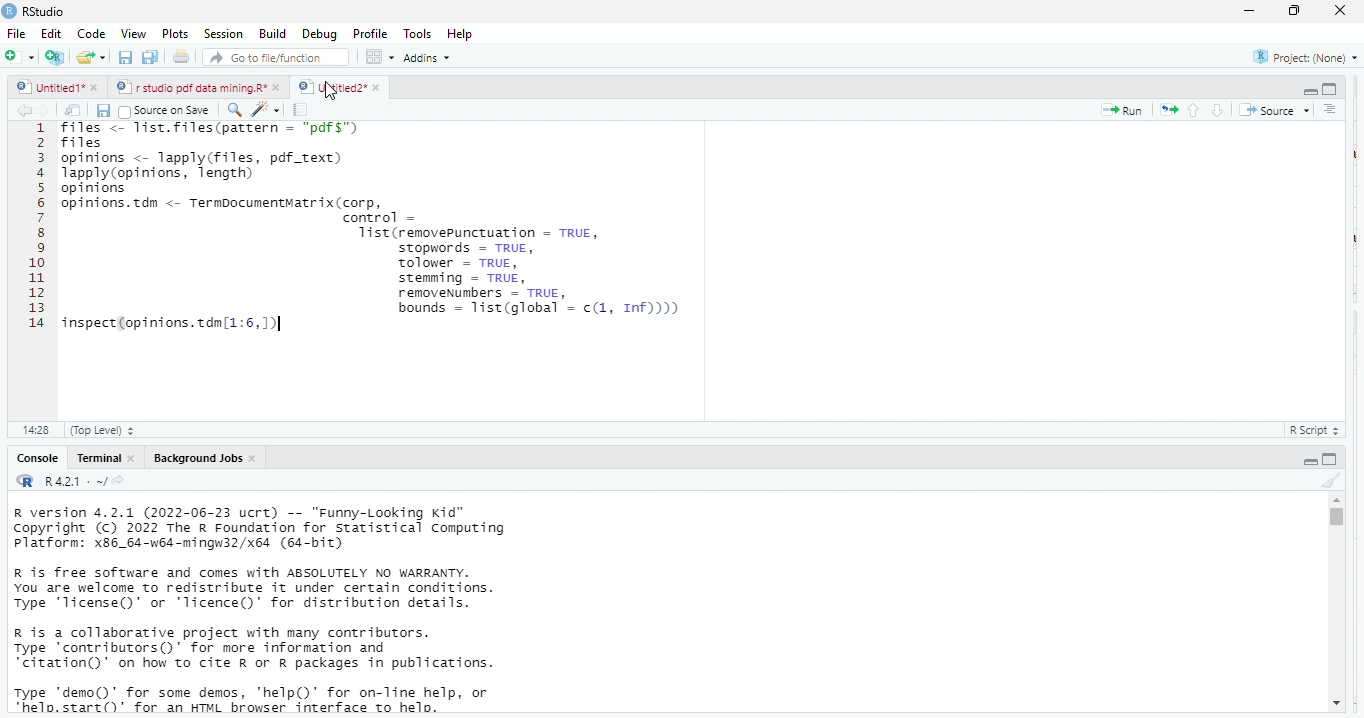 Image resolution: width=1364 pixels, height=718 pixels. Describe the element at coordinates (18, 33) in the screenshot. I see `file` at that location.